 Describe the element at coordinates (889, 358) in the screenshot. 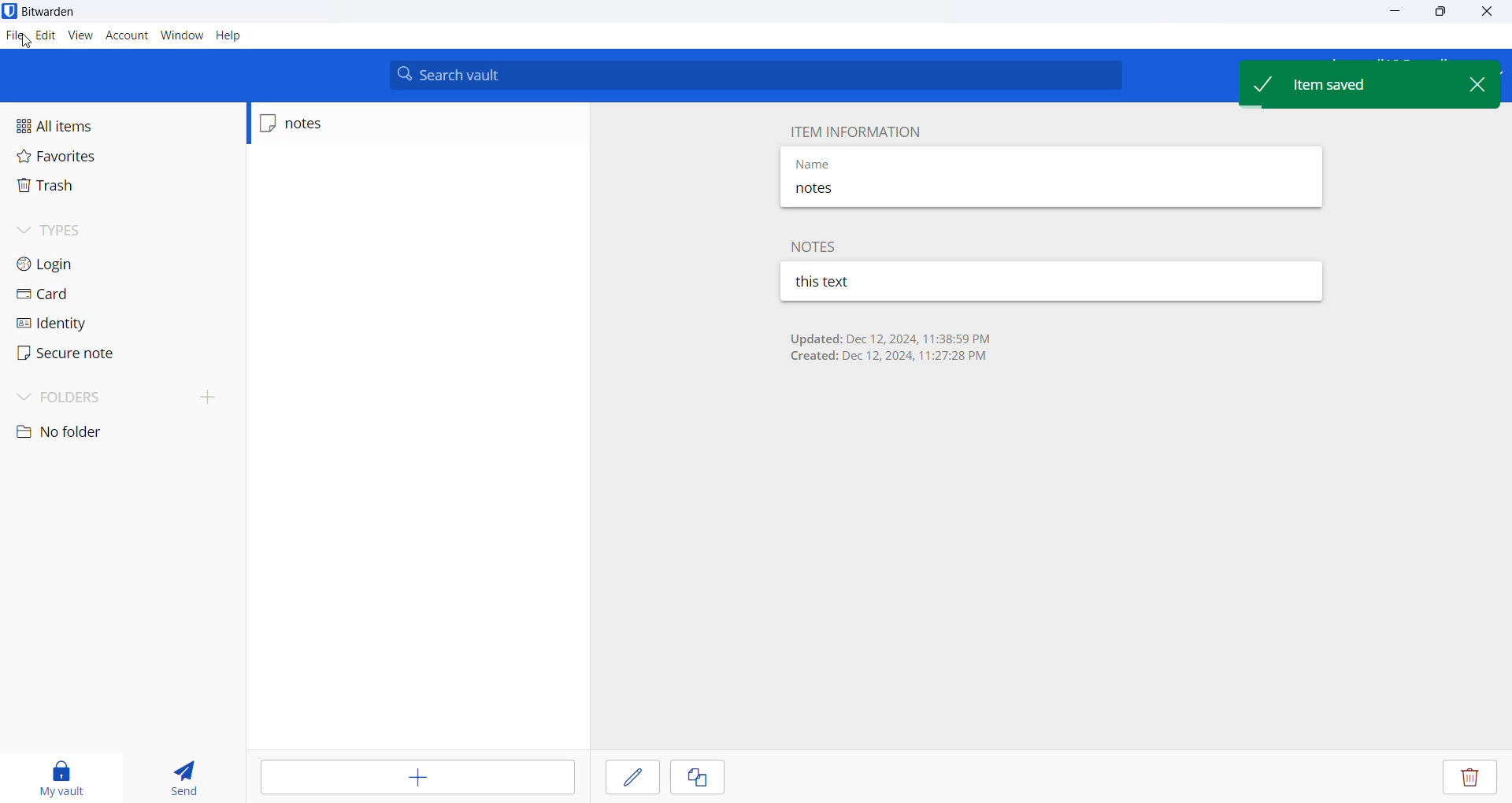

I see `created: Dec 12, 2024 11:27:29 PM` at that location.